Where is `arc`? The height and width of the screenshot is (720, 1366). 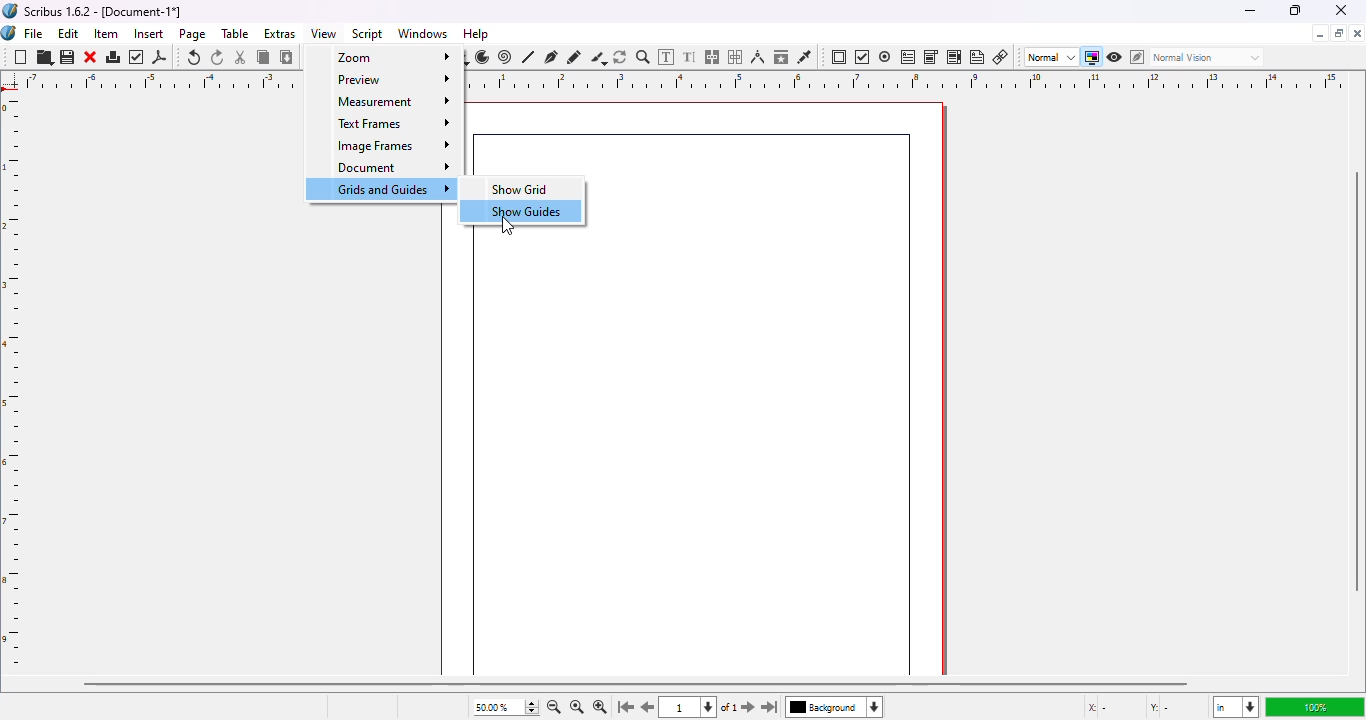 arc is located at coordinates (482, 57).